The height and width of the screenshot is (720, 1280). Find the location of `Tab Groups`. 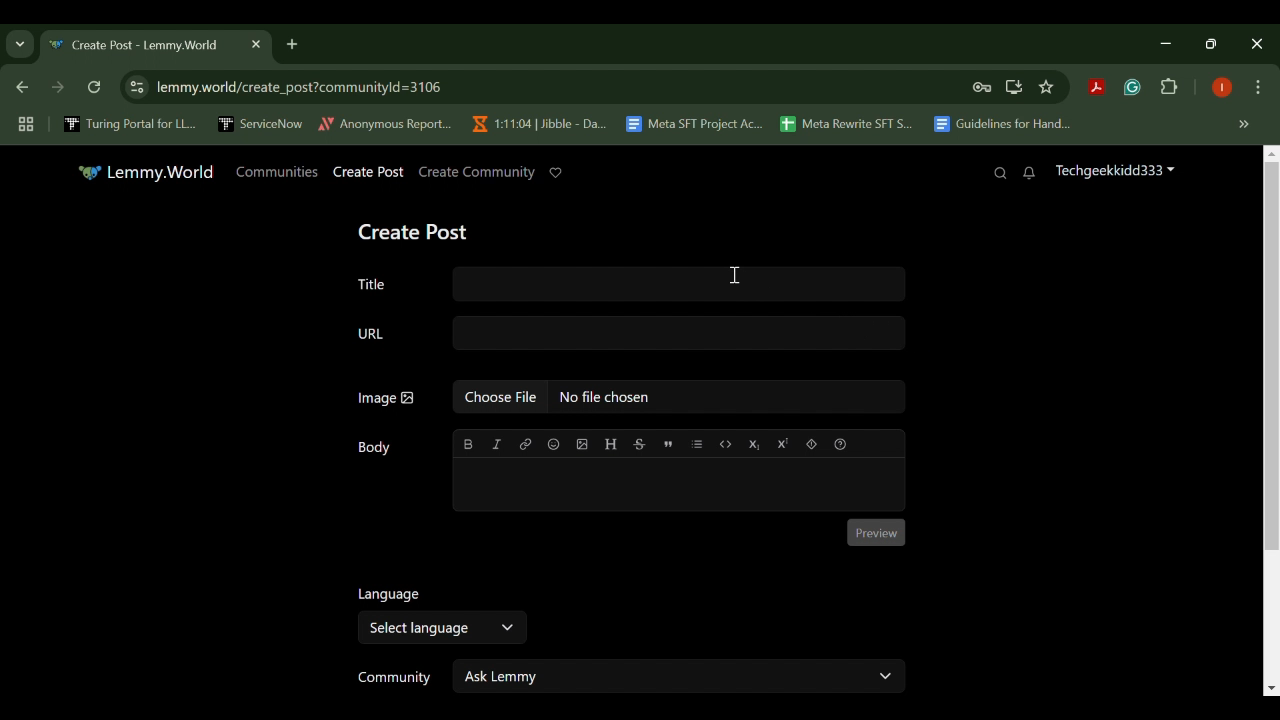

Tab Groups is located at coordinates (23, 125).